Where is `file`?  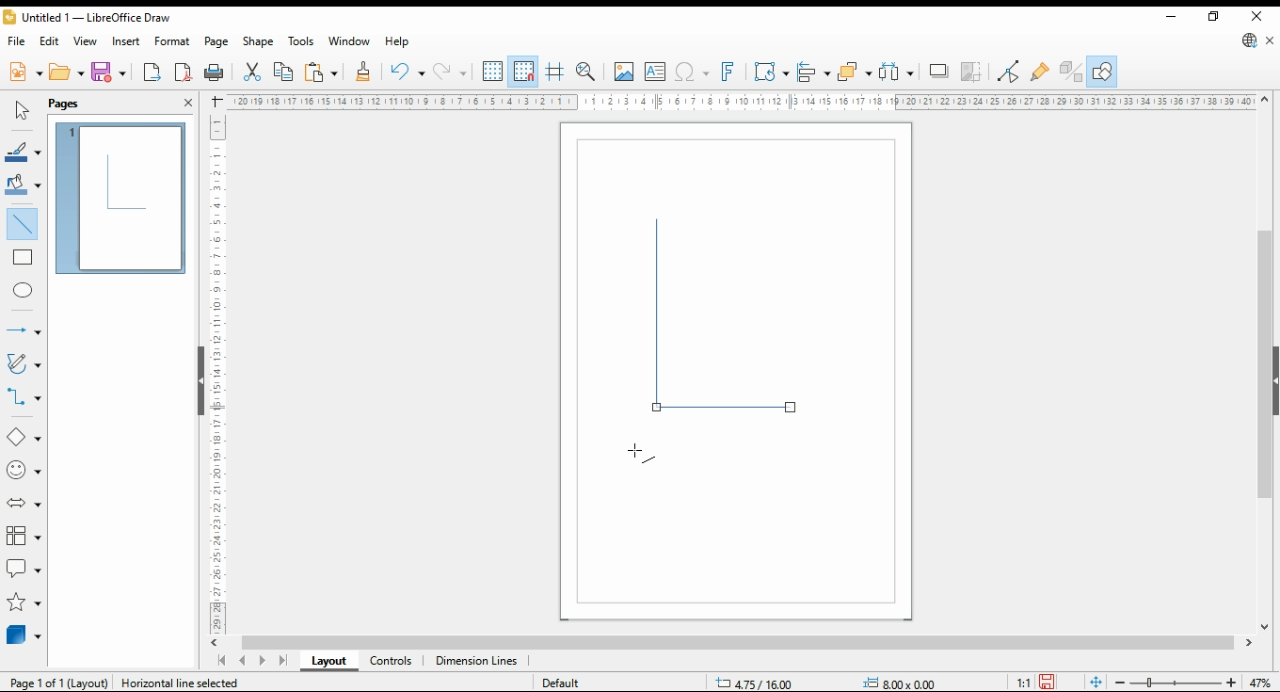
file is located at coordinates (17, 42).